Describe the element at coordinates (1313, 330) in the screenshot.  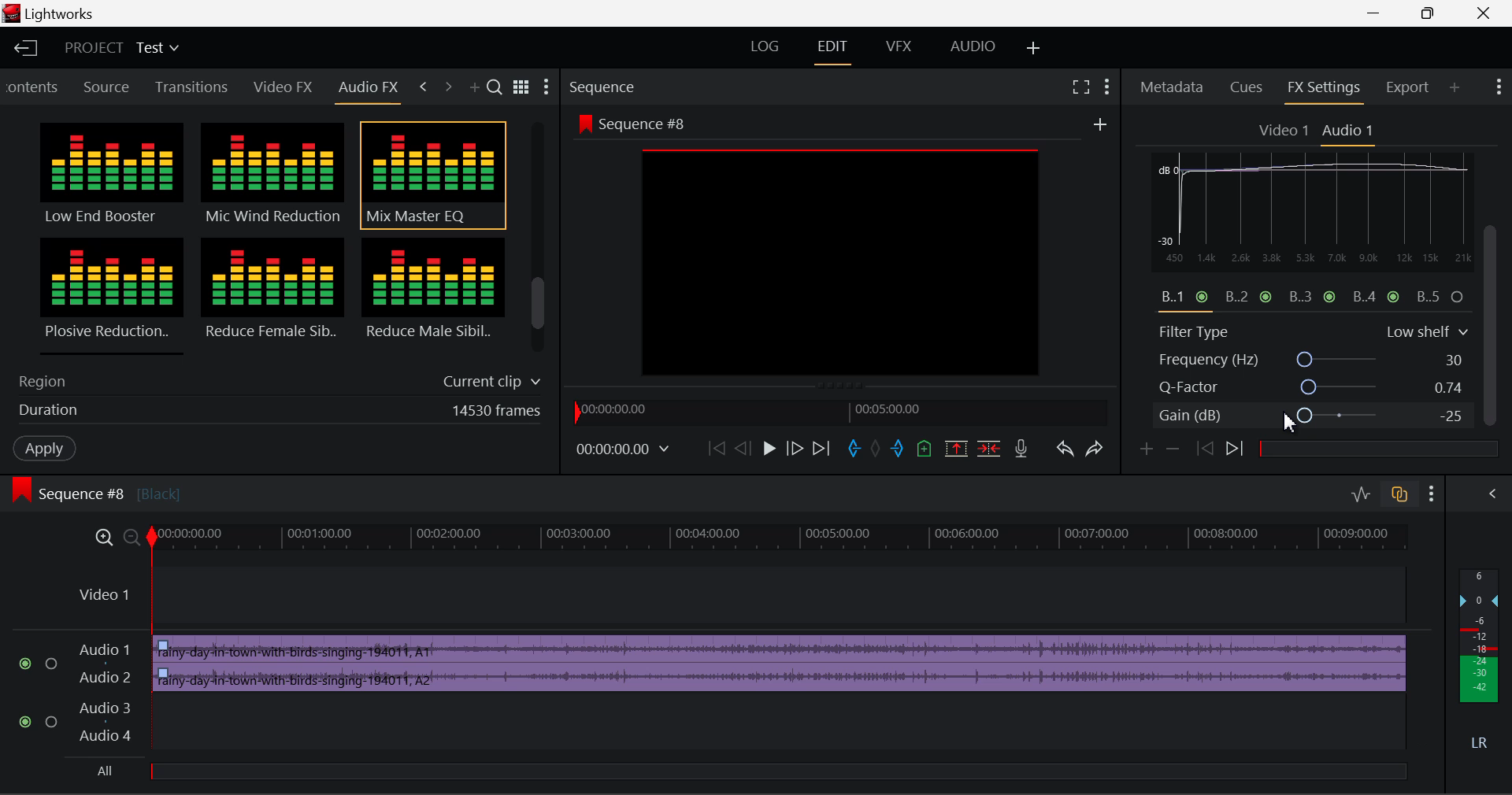
I see `Filter Type` at that location.